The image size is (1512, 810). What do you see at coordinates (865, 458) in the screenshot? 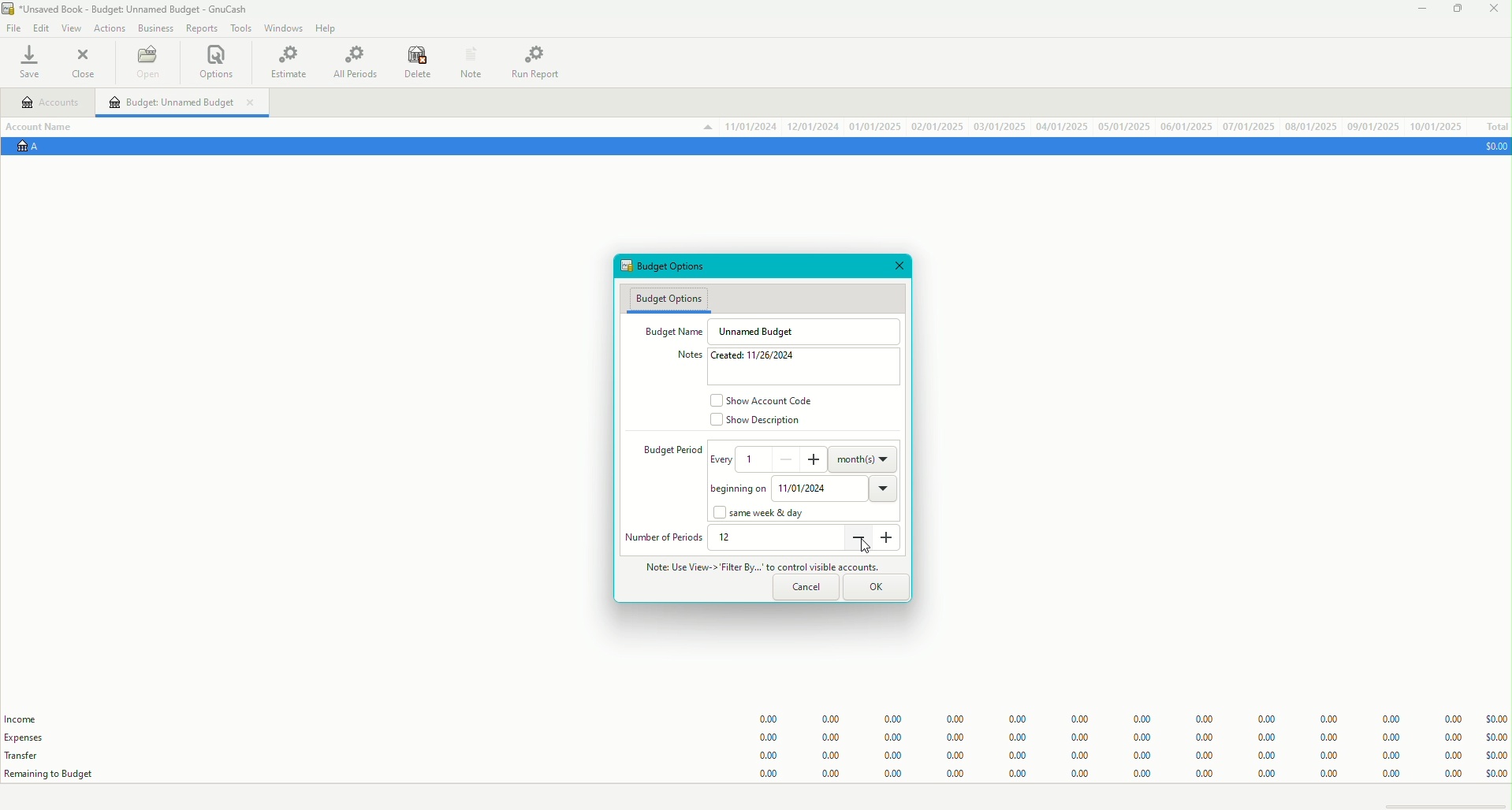
I see `month(s)` at bounding box center [865, 458].